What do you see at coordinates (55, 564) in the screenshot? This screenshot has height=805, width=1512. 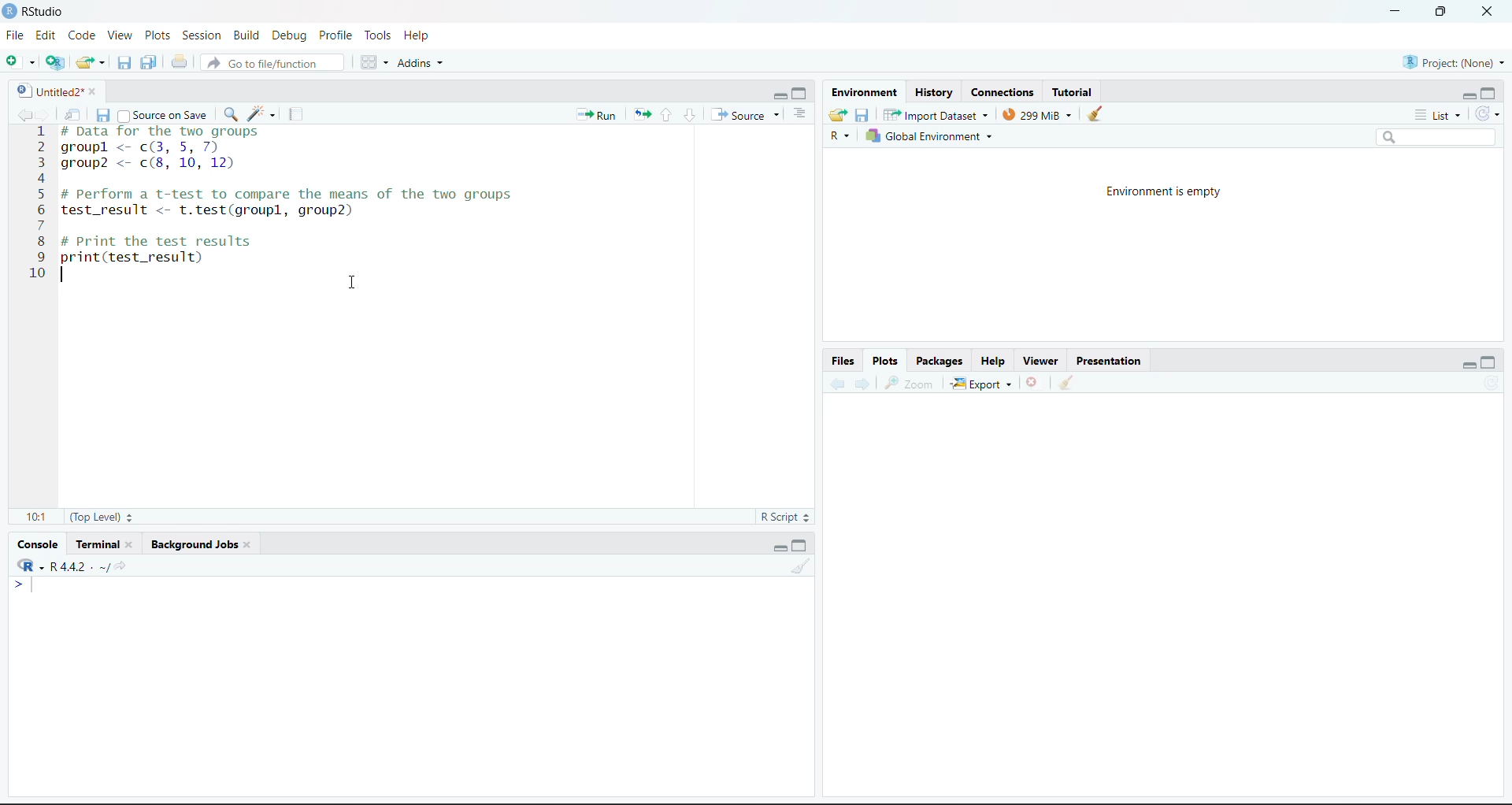 I see `R 4.4.2` at bounding box center [55, 564].